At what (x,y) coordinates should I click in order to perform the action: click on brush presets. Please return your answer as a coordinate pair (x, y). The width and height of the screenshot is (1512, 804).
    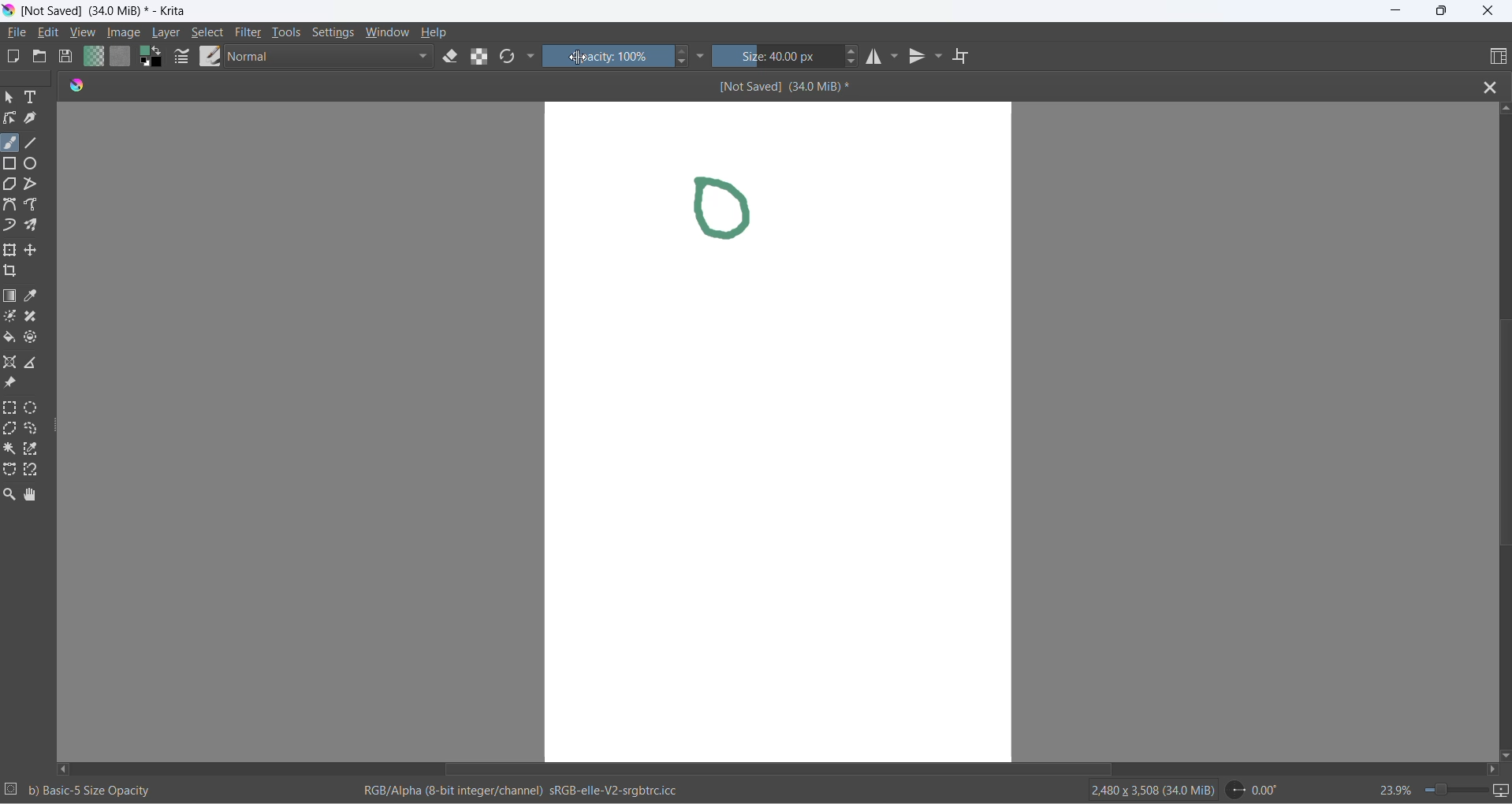
    Looking at the image, I should click on (207, 58).